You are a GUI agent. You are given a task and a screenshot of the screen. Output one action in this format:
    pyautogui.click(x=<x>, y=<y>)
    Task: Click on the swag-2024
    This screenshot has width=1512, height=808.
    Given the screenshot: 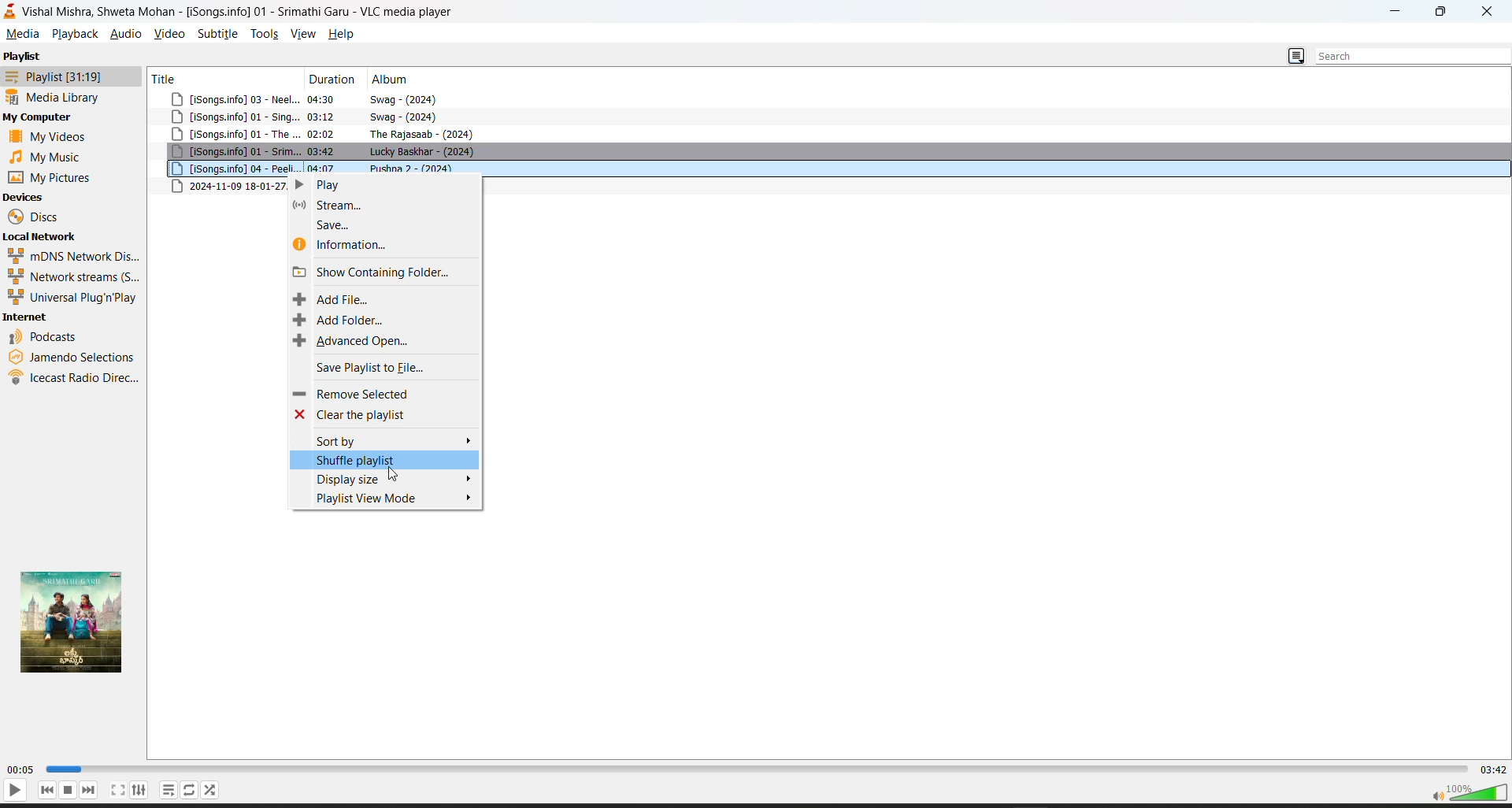 What is the action you would take?
    pyautogui.click(x=411, y=116)
    